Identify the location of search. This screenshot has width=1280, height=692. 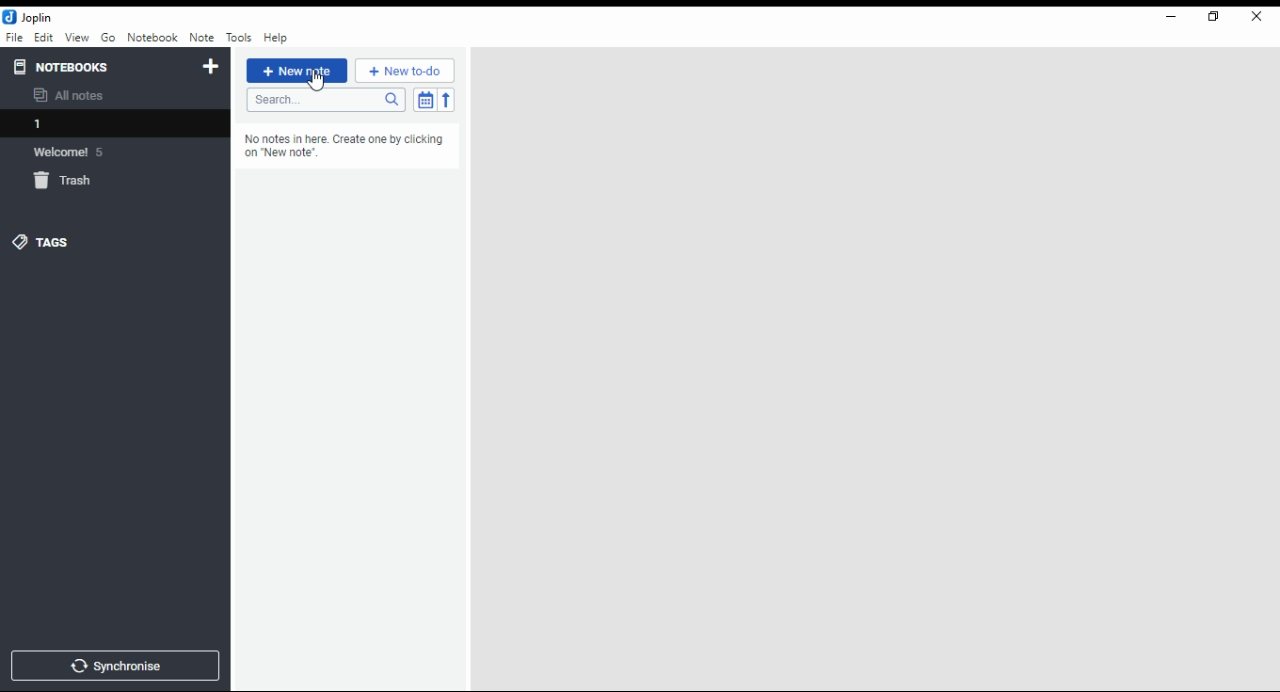
(324, 101).